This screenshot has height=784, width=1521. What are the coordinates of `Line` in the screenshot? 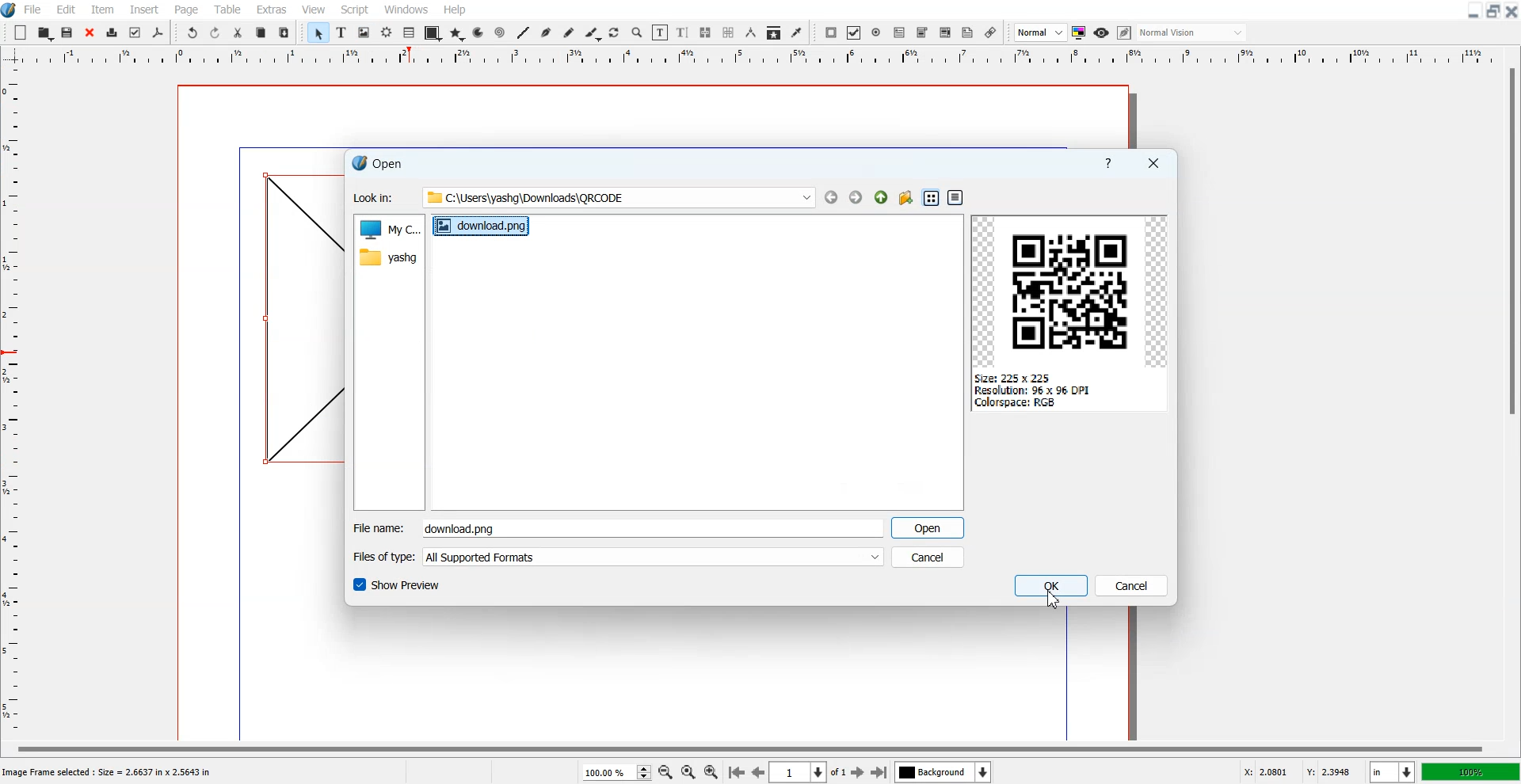 It's located at (524, 32).